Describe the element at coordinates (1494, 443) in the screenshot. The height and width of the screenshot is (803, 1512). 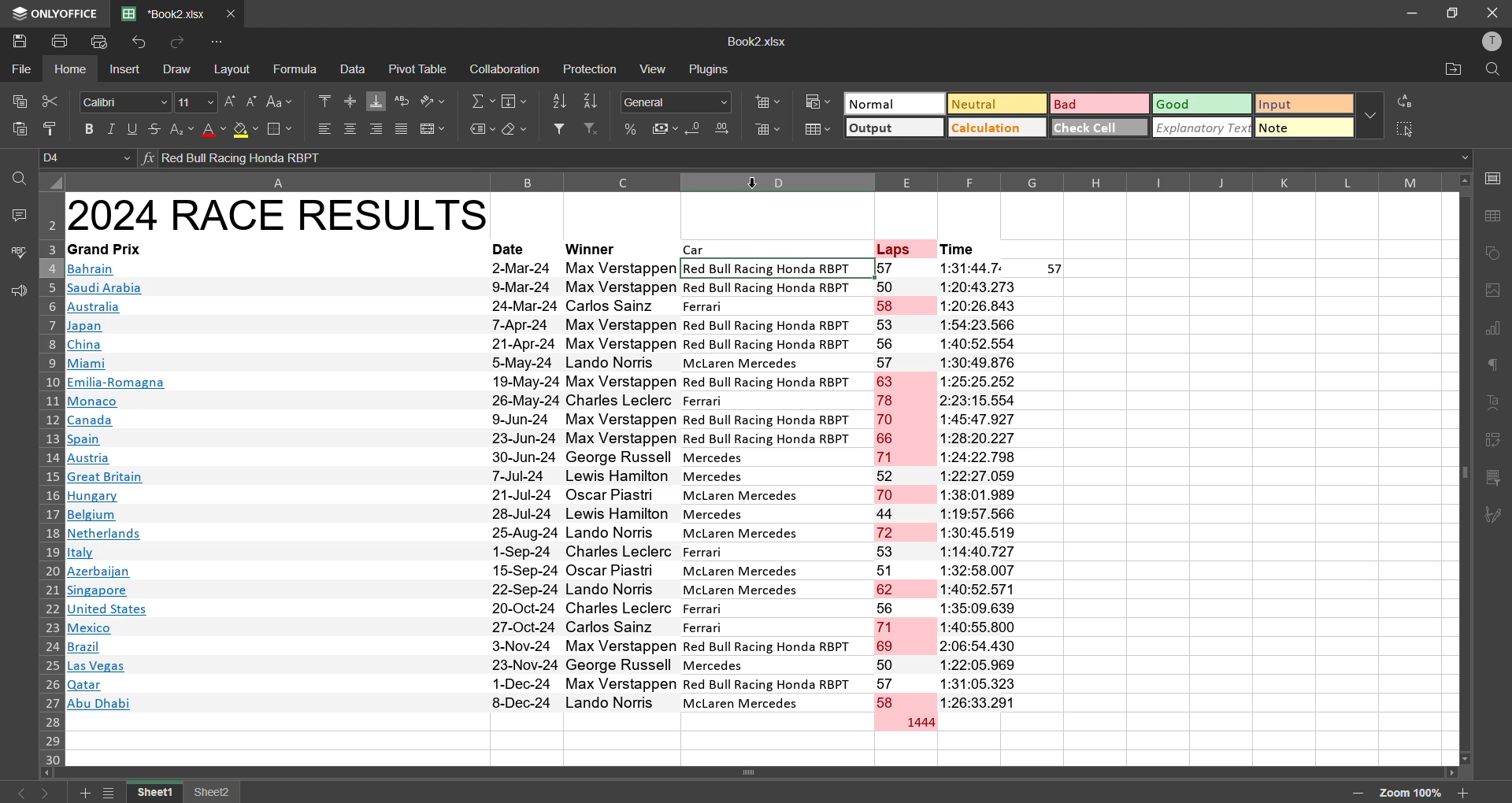
I see `pivot table` at that location.